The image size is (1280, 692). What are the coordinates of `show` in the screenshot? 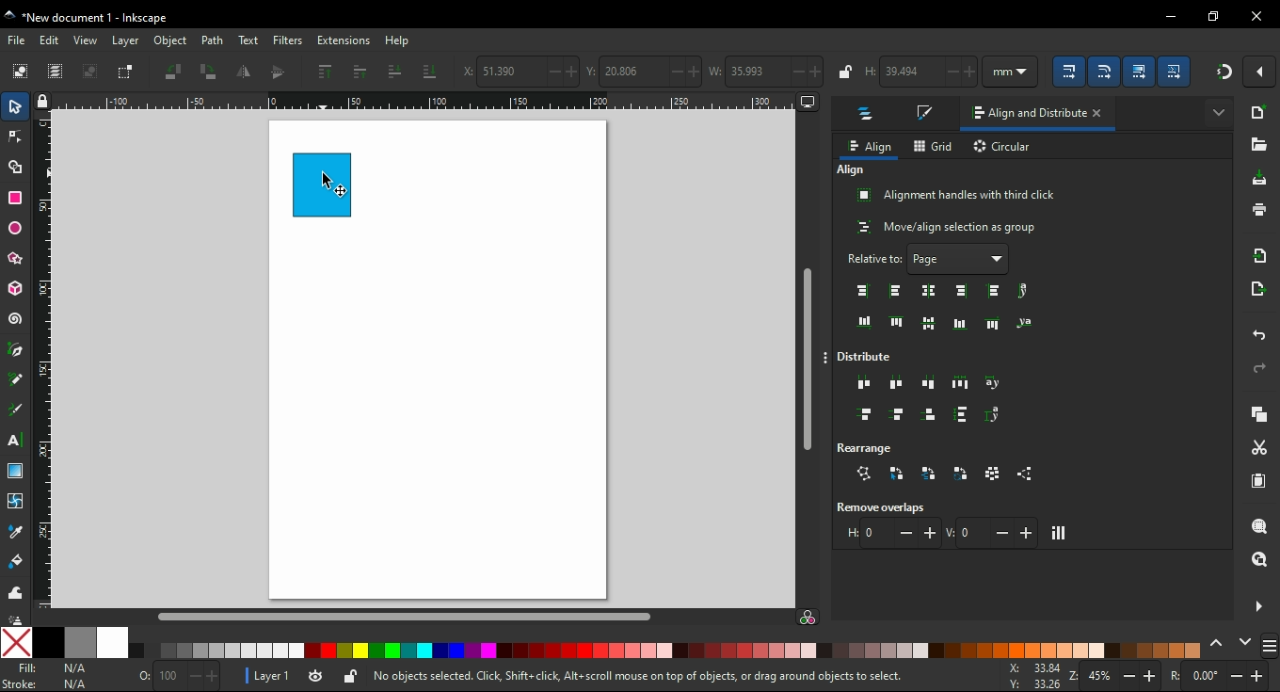 It's located at (1218, 110).